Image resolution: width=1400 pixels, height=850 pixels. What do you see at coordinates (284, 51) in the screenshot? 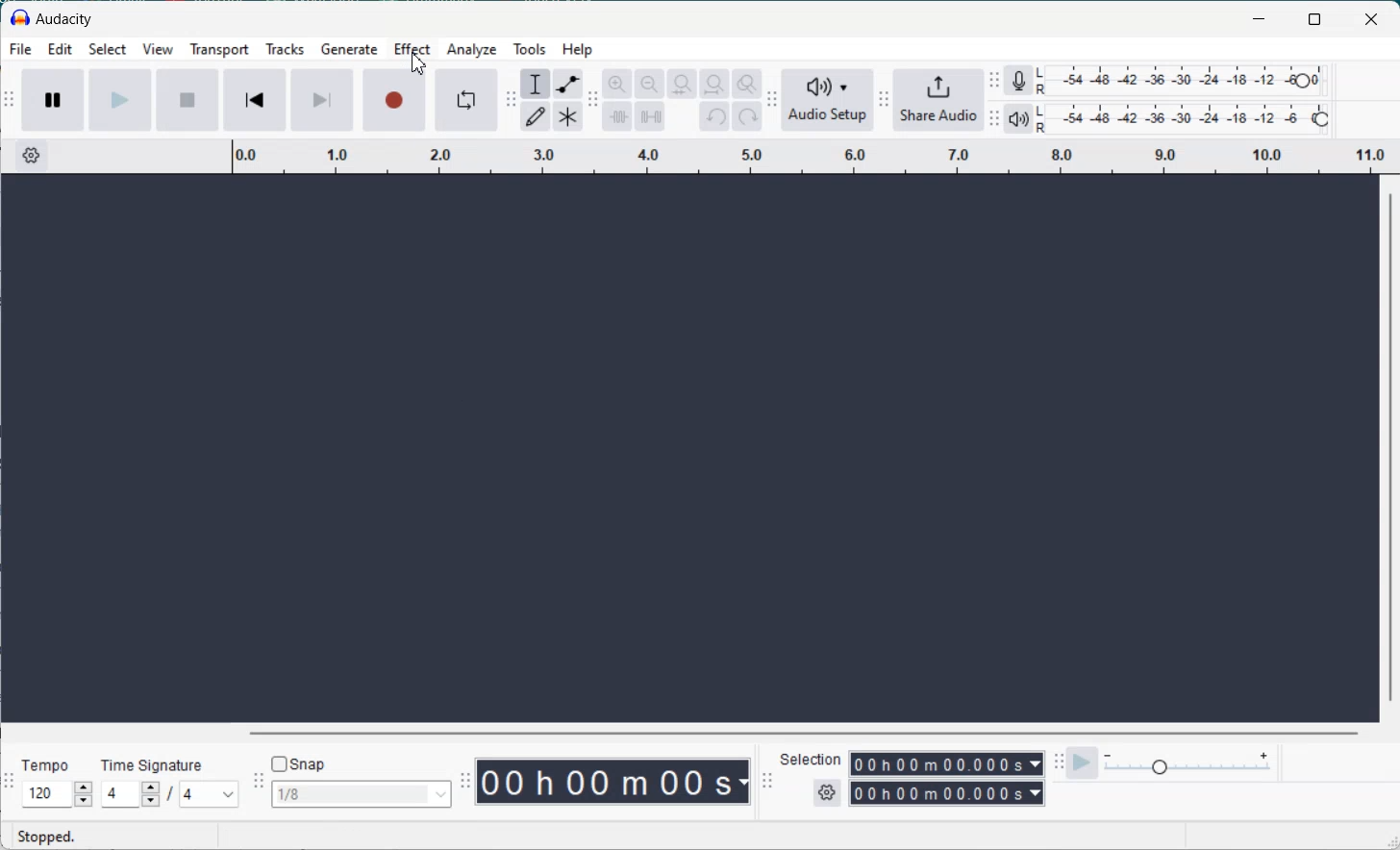
I see `Tracks` at bounding box center [284, 51].